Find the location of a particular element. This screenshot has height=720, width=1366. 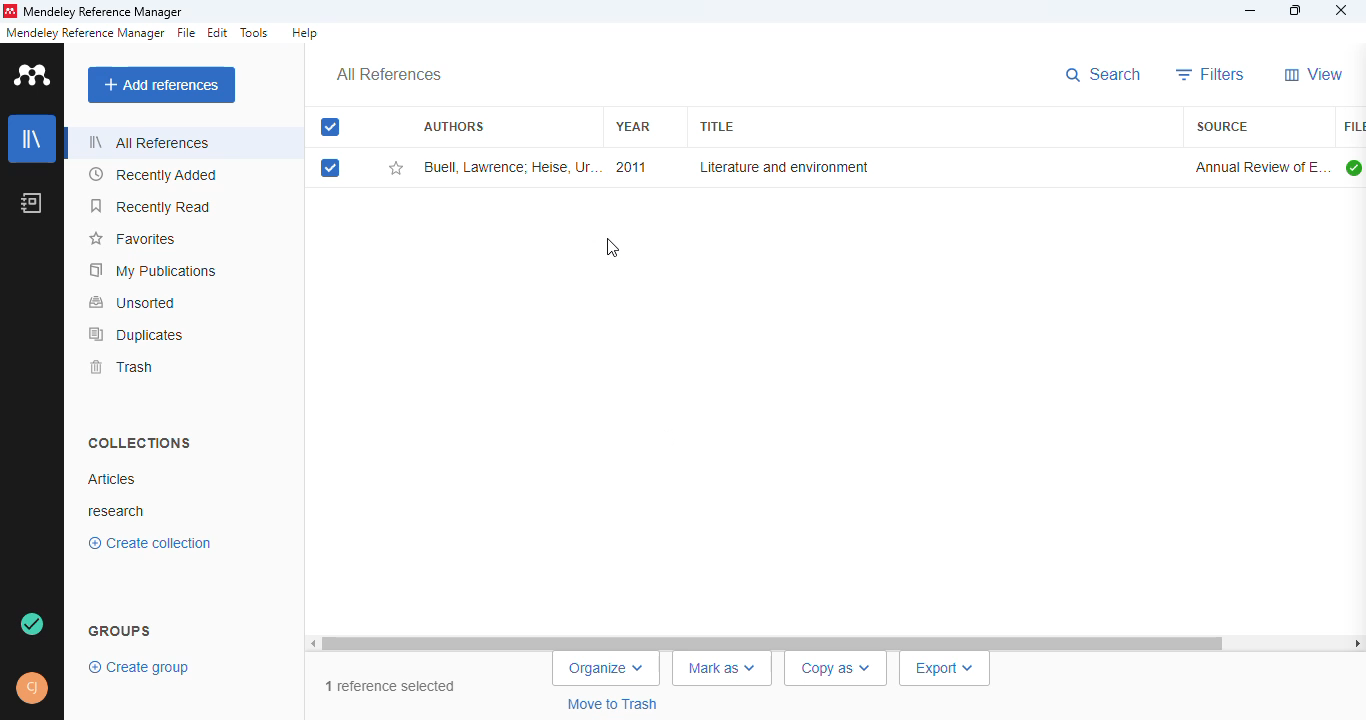

favorites is located at coordinates (135, 239).